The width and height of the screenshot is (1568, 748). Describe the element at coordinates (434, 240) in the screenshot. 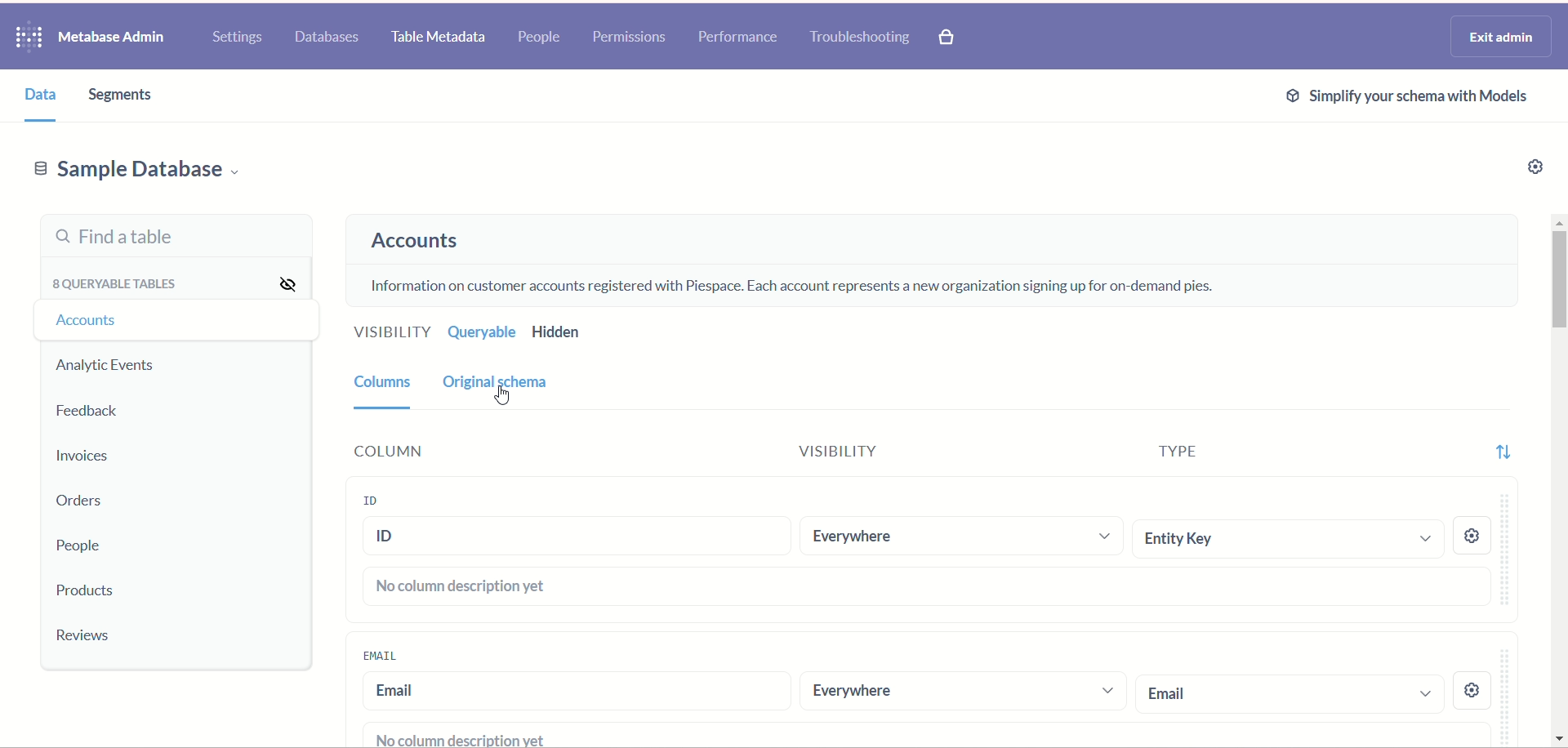

I see `accounts` at that location.